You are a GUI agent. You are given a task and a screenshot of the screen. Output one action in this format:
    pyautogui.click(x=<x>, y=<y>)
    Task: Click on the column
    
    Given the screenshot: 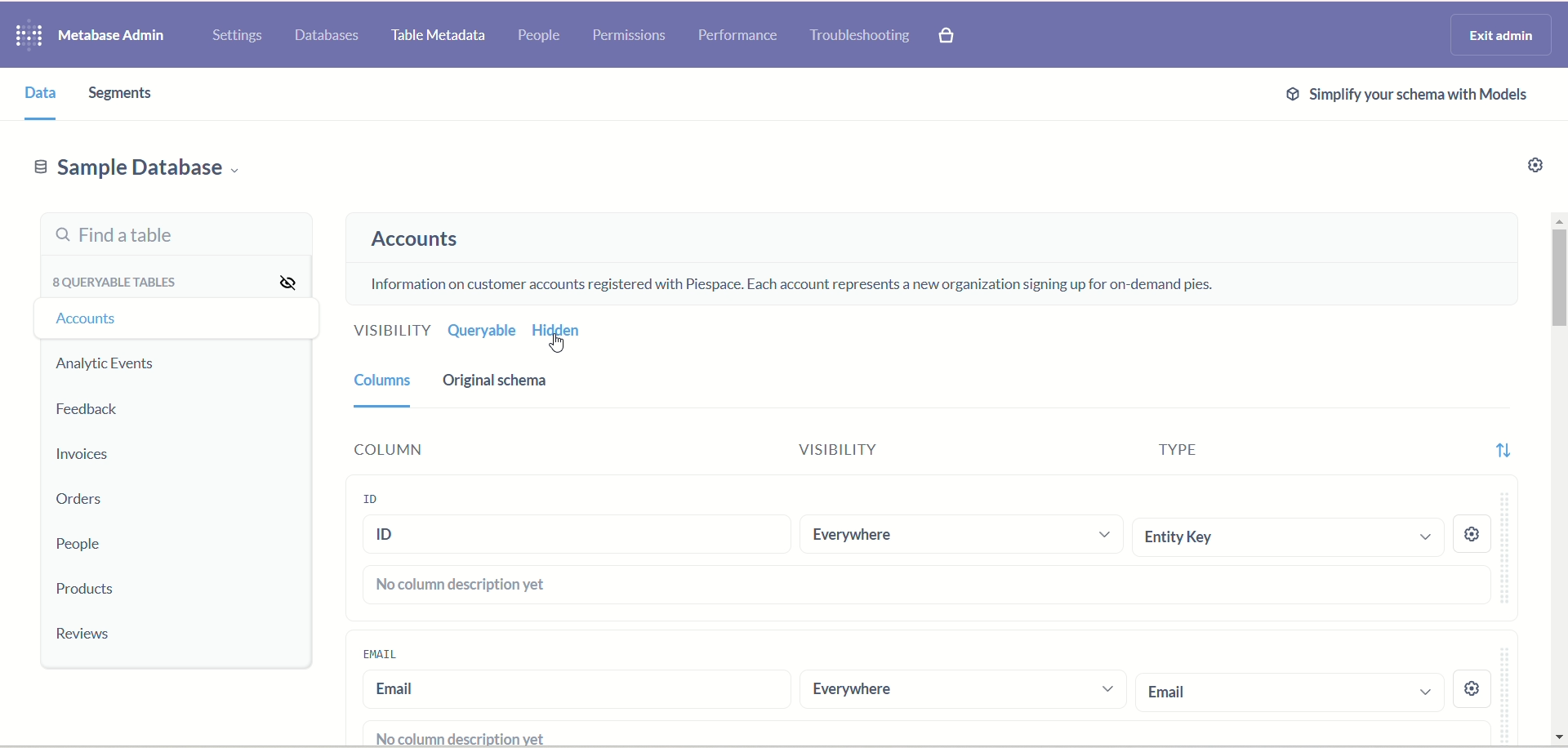 What is the action you would take?
    pyautogui.click(x=381, y=452)
    